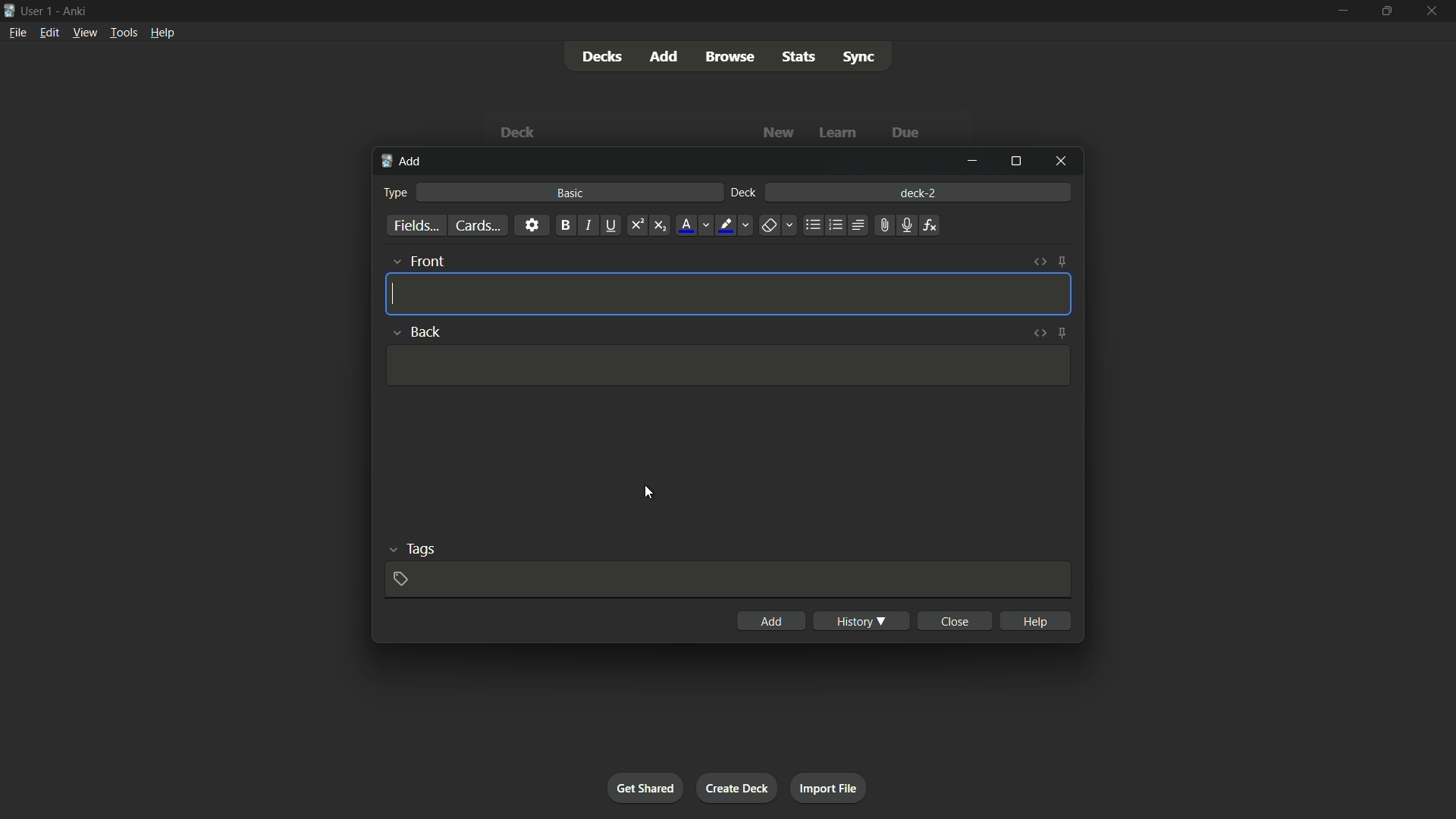 The image size is (1456, 819). What do you see at coordinates (75, 11) in the screenshot?
I see `app name` at bounding box center [75, 11].